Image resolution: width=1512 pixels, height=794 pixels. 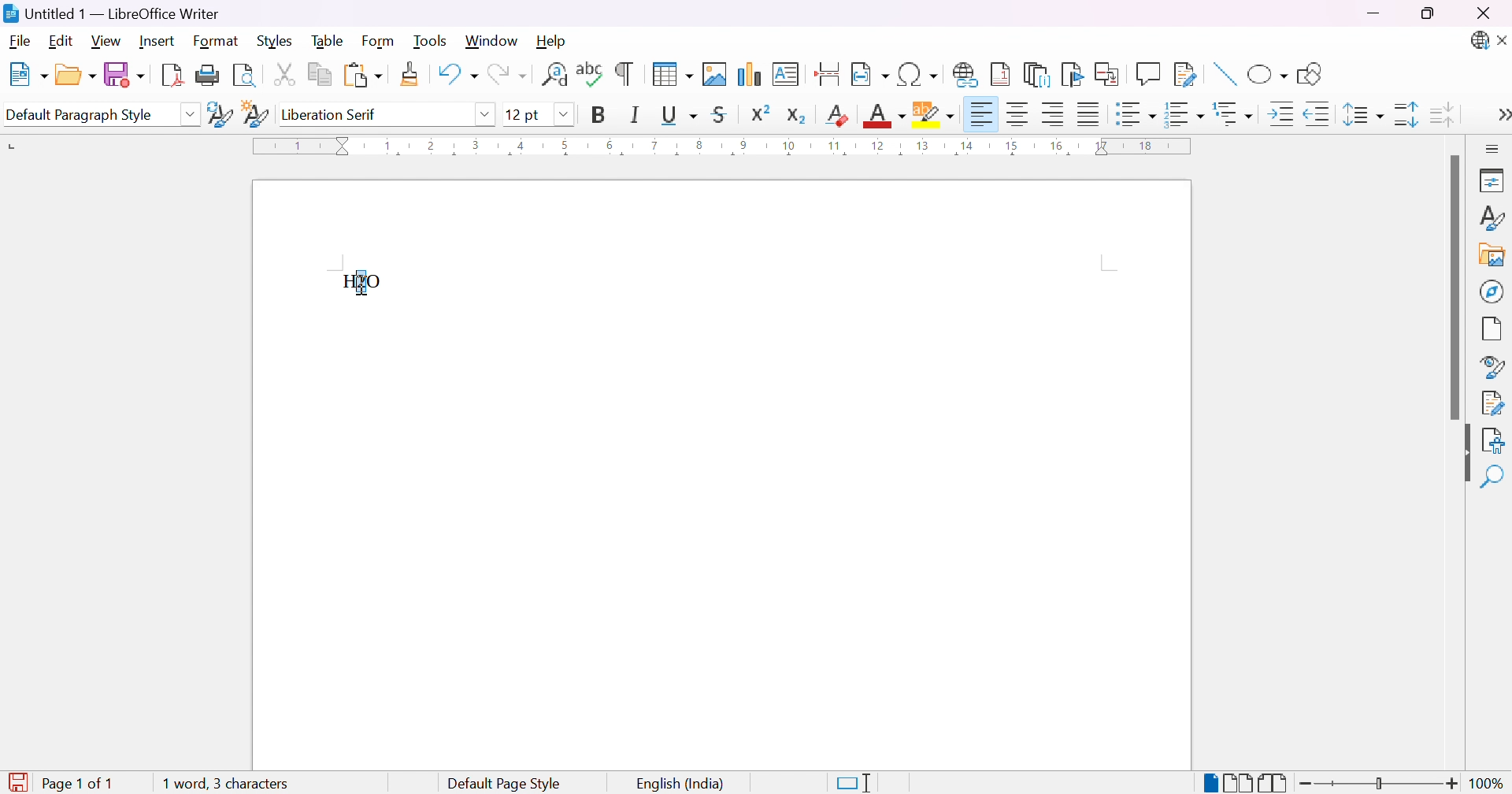 What do you see at coordinates (220, 114) in the screenshot?
I see `Update selected style` at bounding box center [220, 114].